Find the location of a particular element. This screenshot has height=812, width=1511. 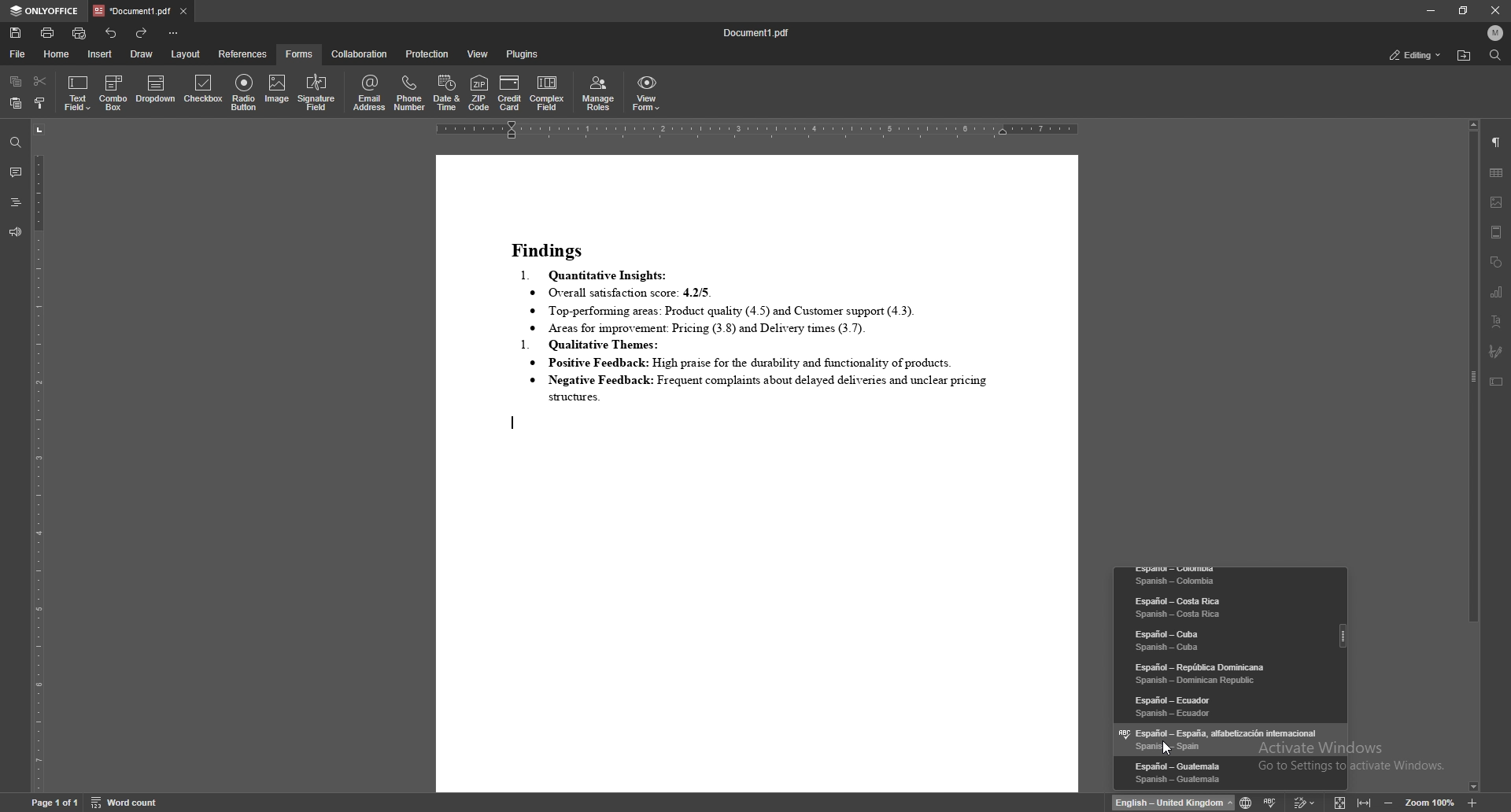

status is located at coordinates (1416, 54).